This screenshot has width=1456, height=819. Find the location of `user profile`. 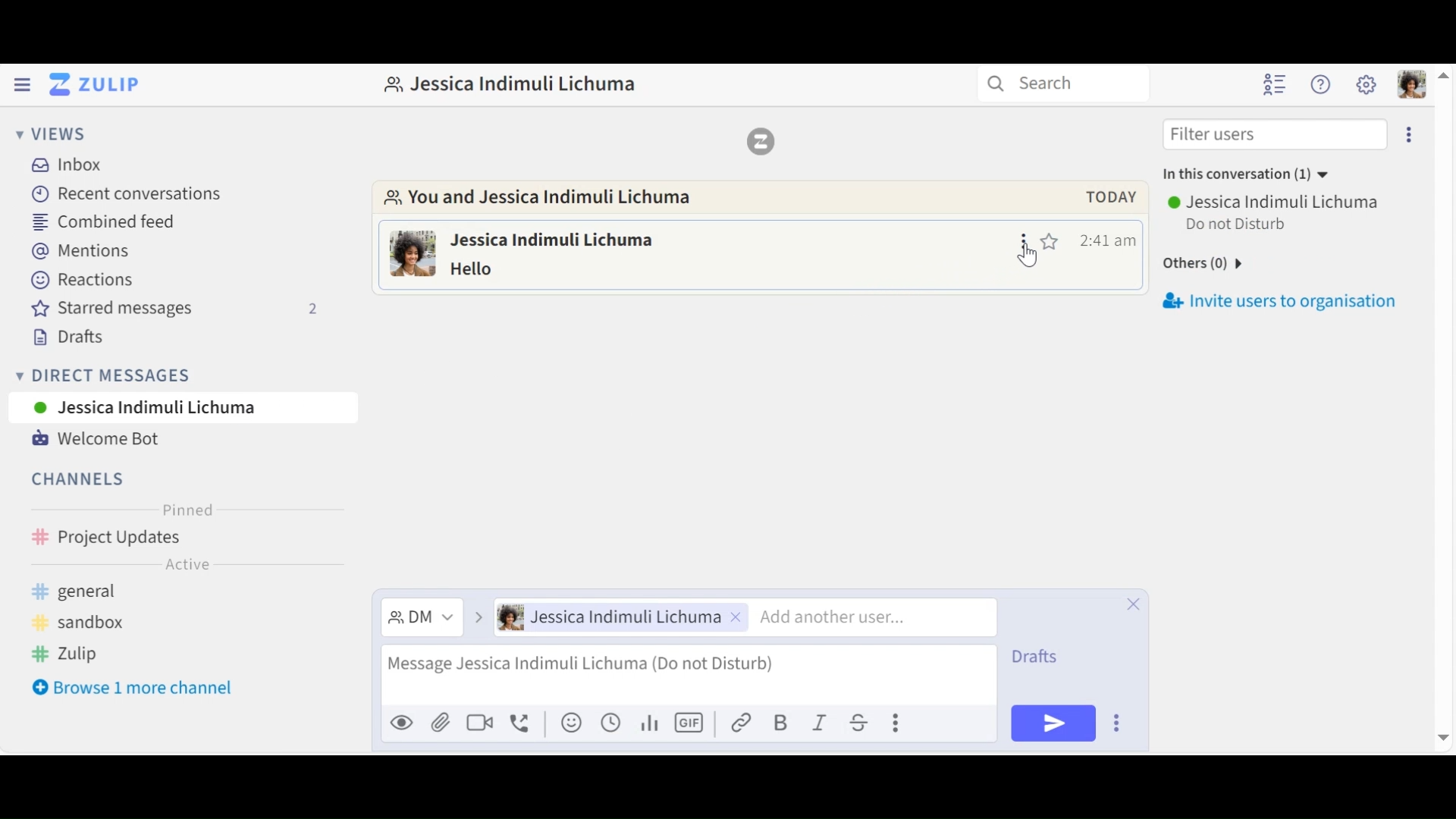

user profile is located at coordinates (413, 256).